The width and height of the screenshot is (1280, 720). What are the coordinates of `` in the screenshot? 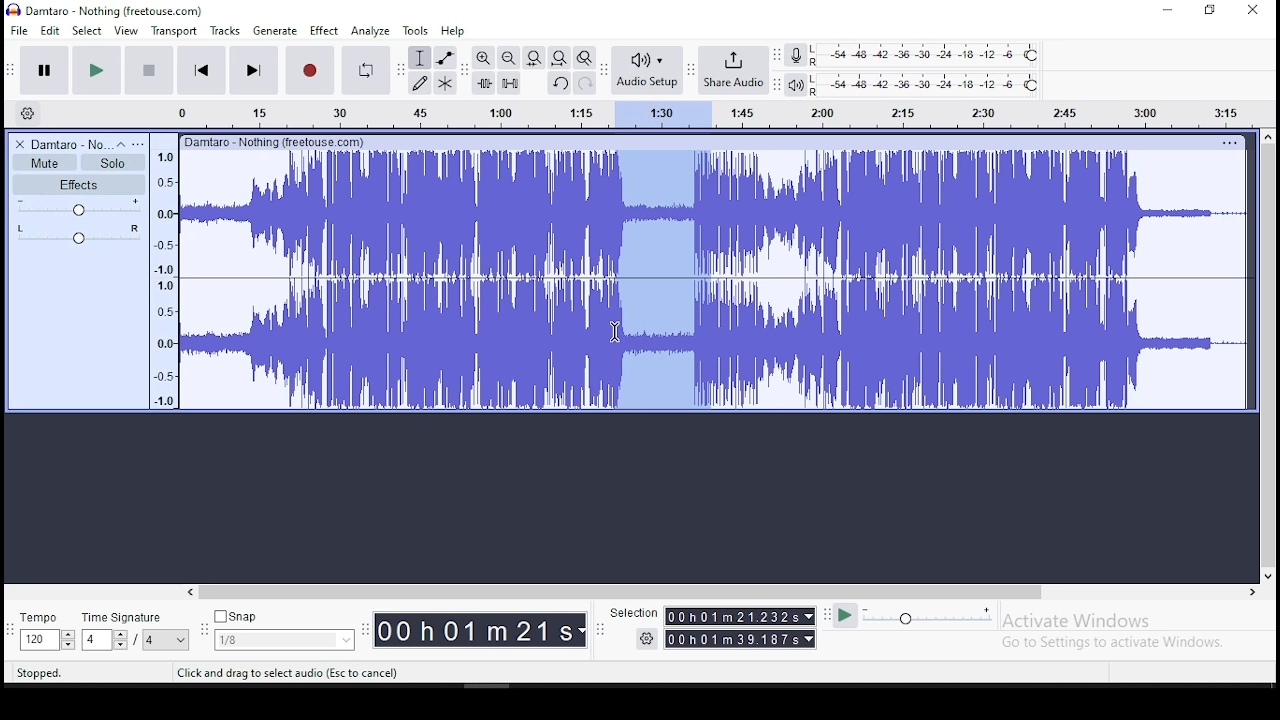 It's located at (399, 68).